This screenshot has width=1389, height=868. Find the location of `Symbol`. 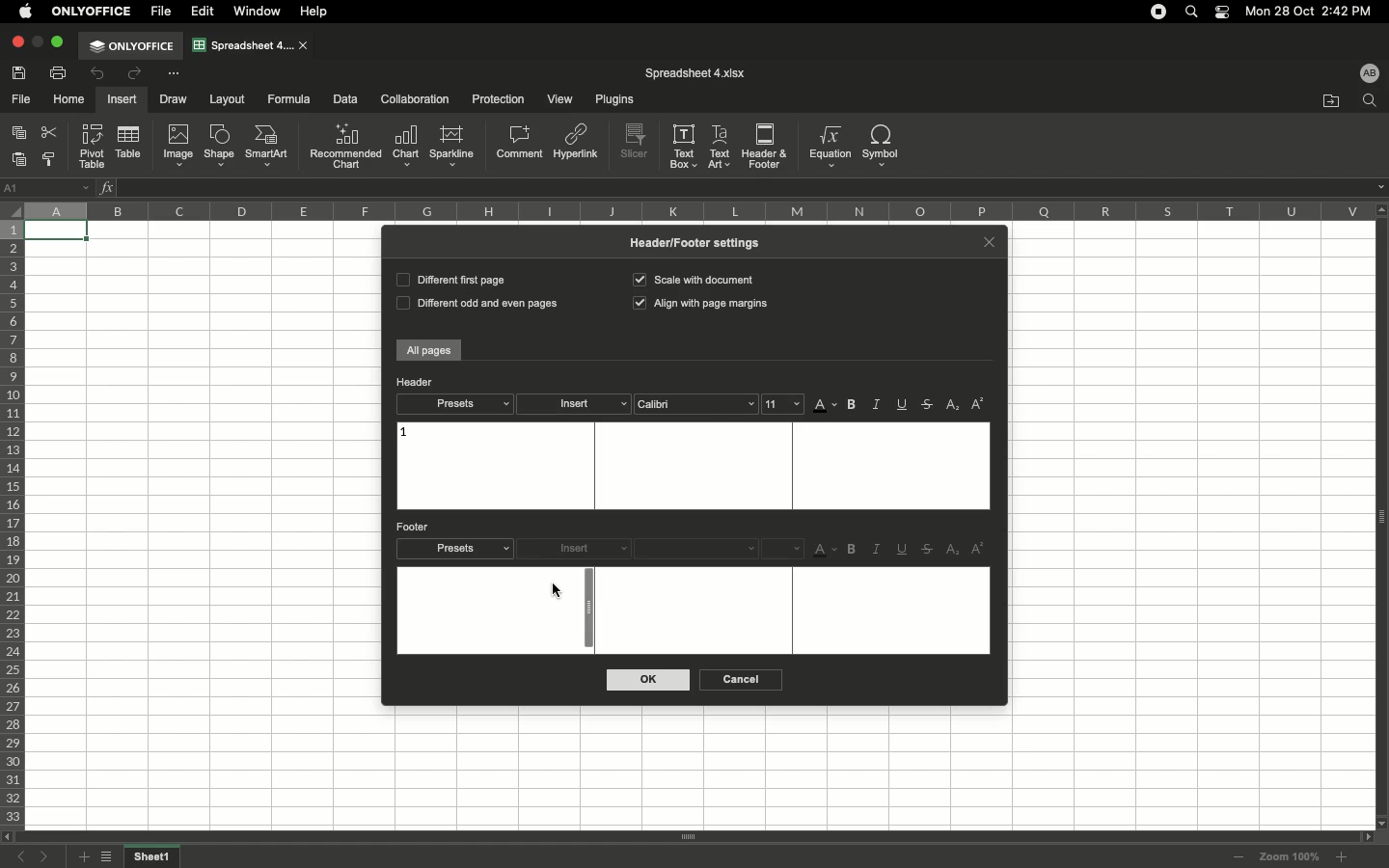

Symbol is located at coordinates (883, 146).